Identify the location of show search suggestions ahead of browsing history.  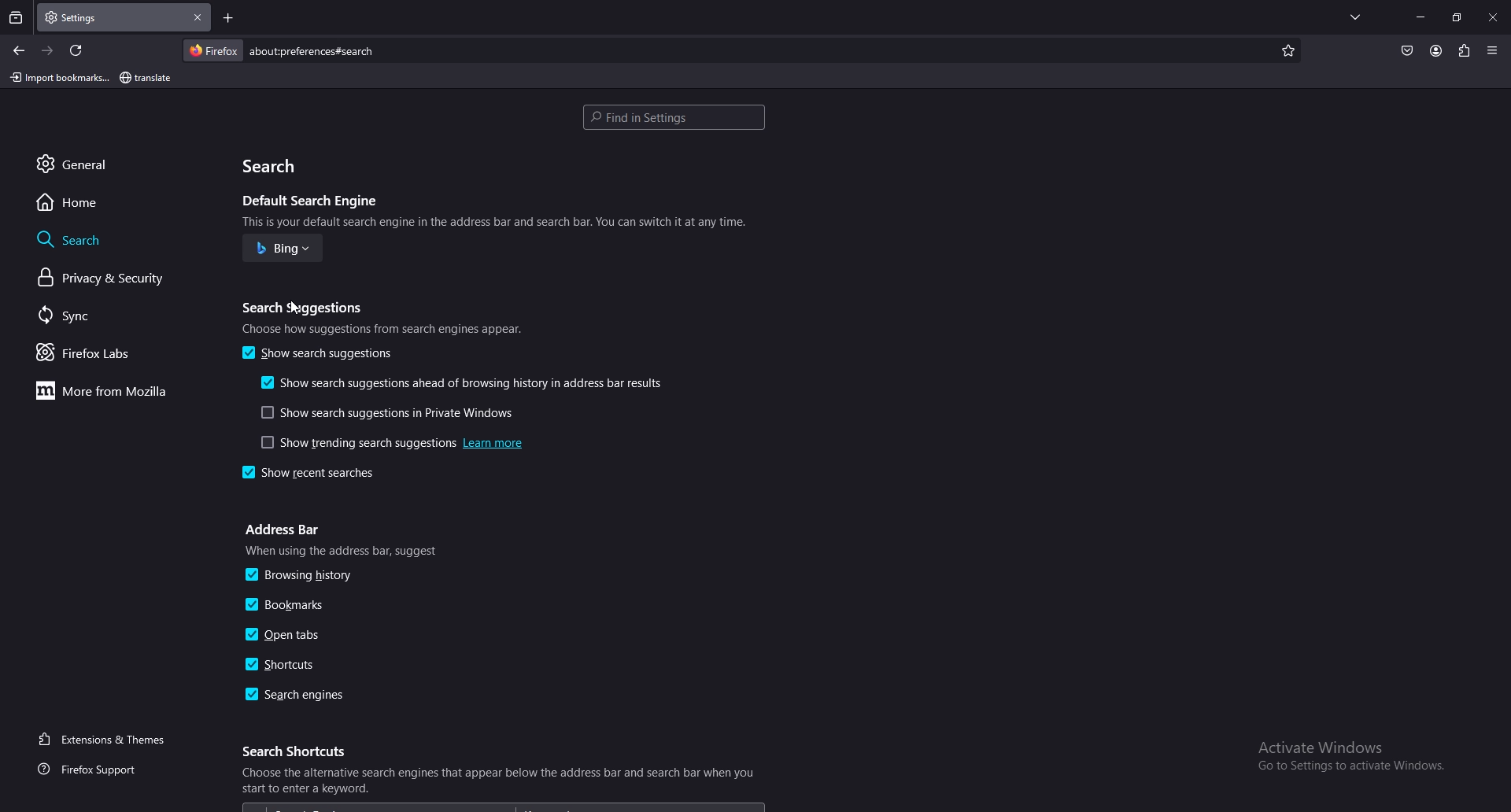
(464, 382).